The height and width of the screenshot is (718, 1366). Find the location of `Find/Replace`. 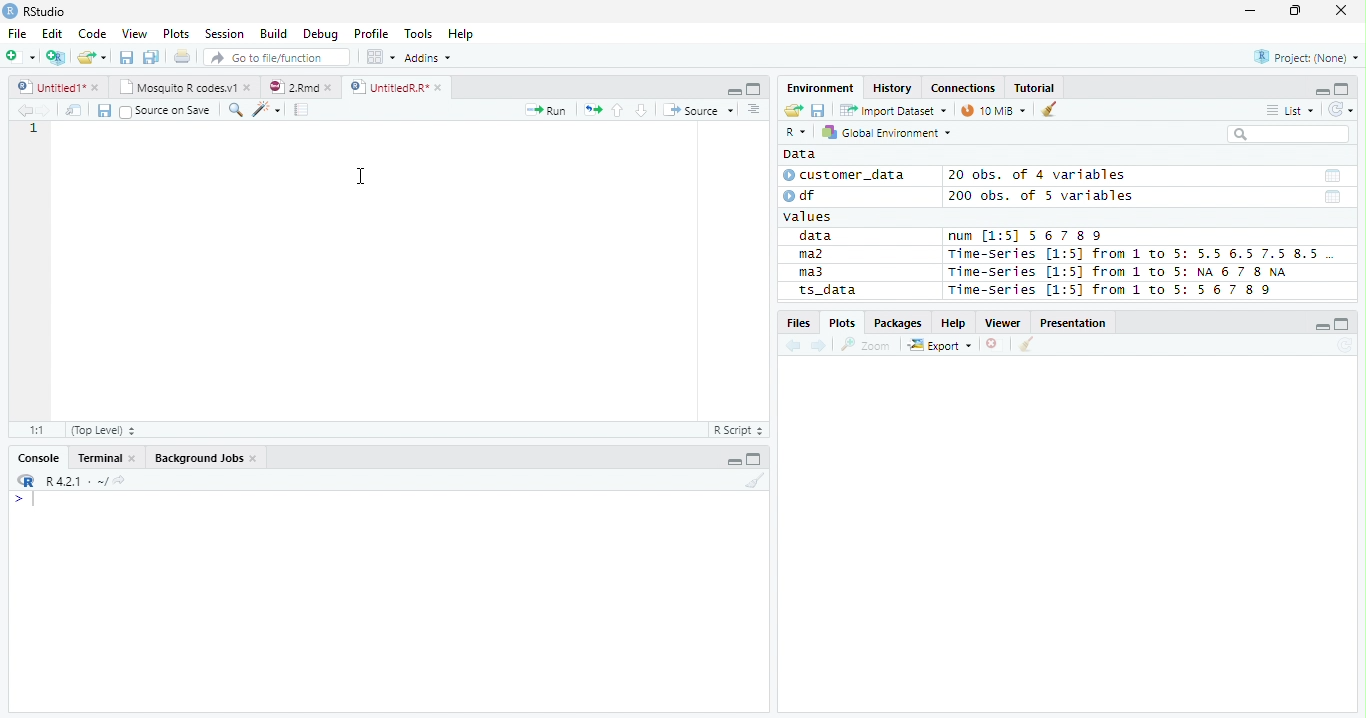

Find/Replace is located at coordinates (234, 109).